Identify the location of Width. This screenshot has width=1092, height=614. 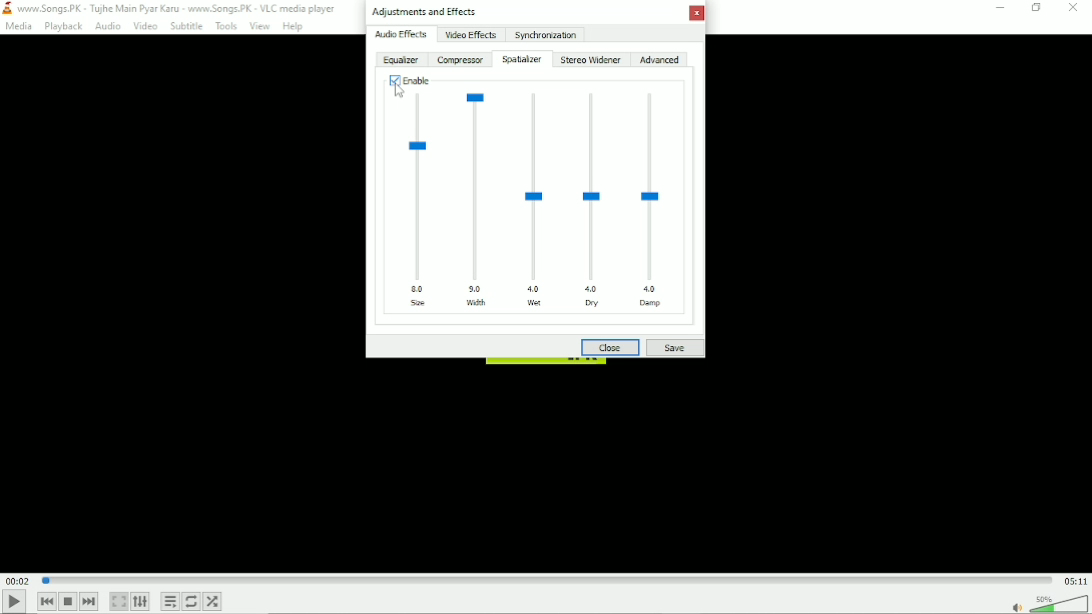
(478, 198).